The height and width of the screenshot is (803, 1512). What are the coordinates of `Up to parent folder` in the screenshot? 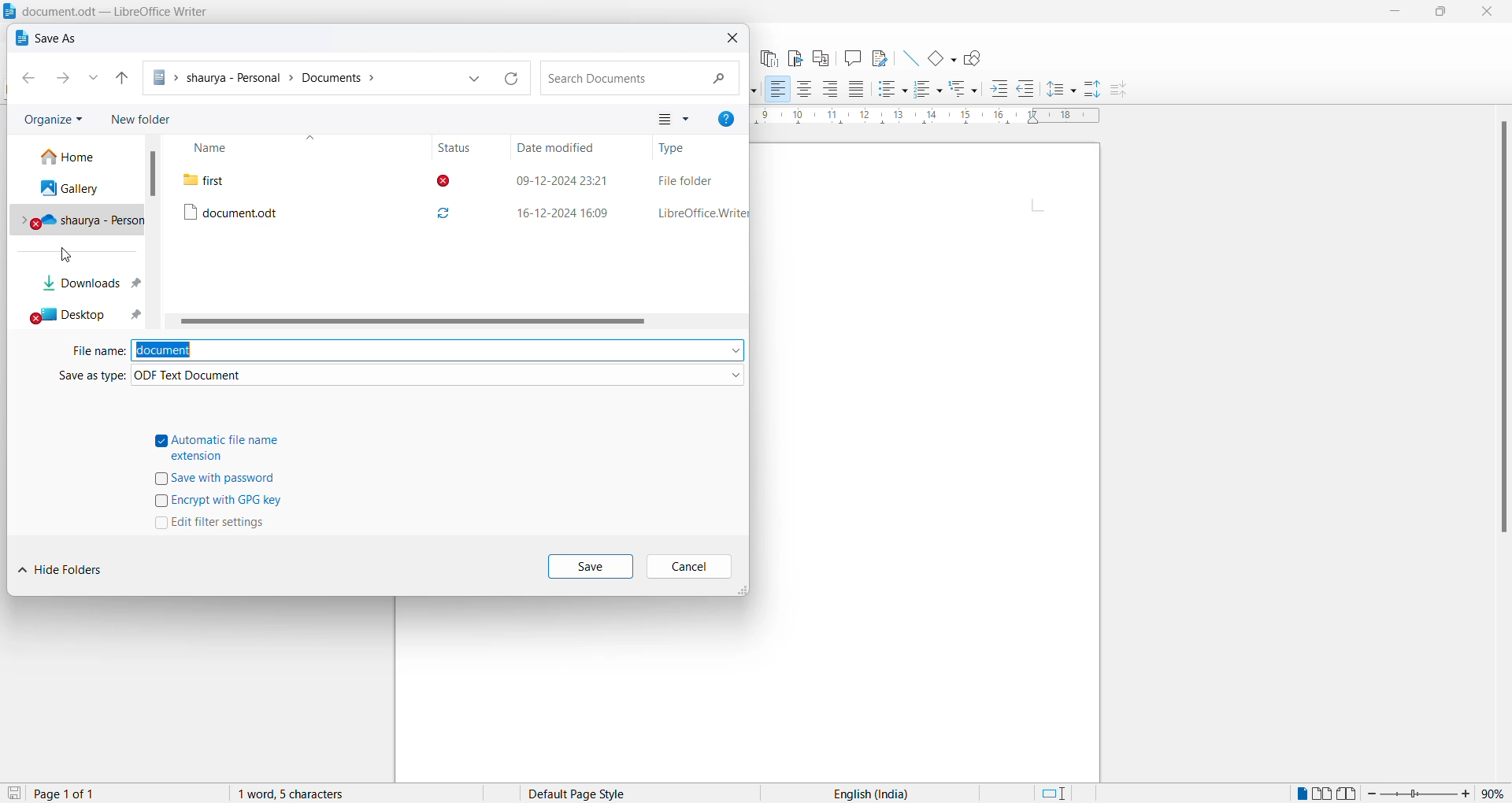 It's located at (120, 79).